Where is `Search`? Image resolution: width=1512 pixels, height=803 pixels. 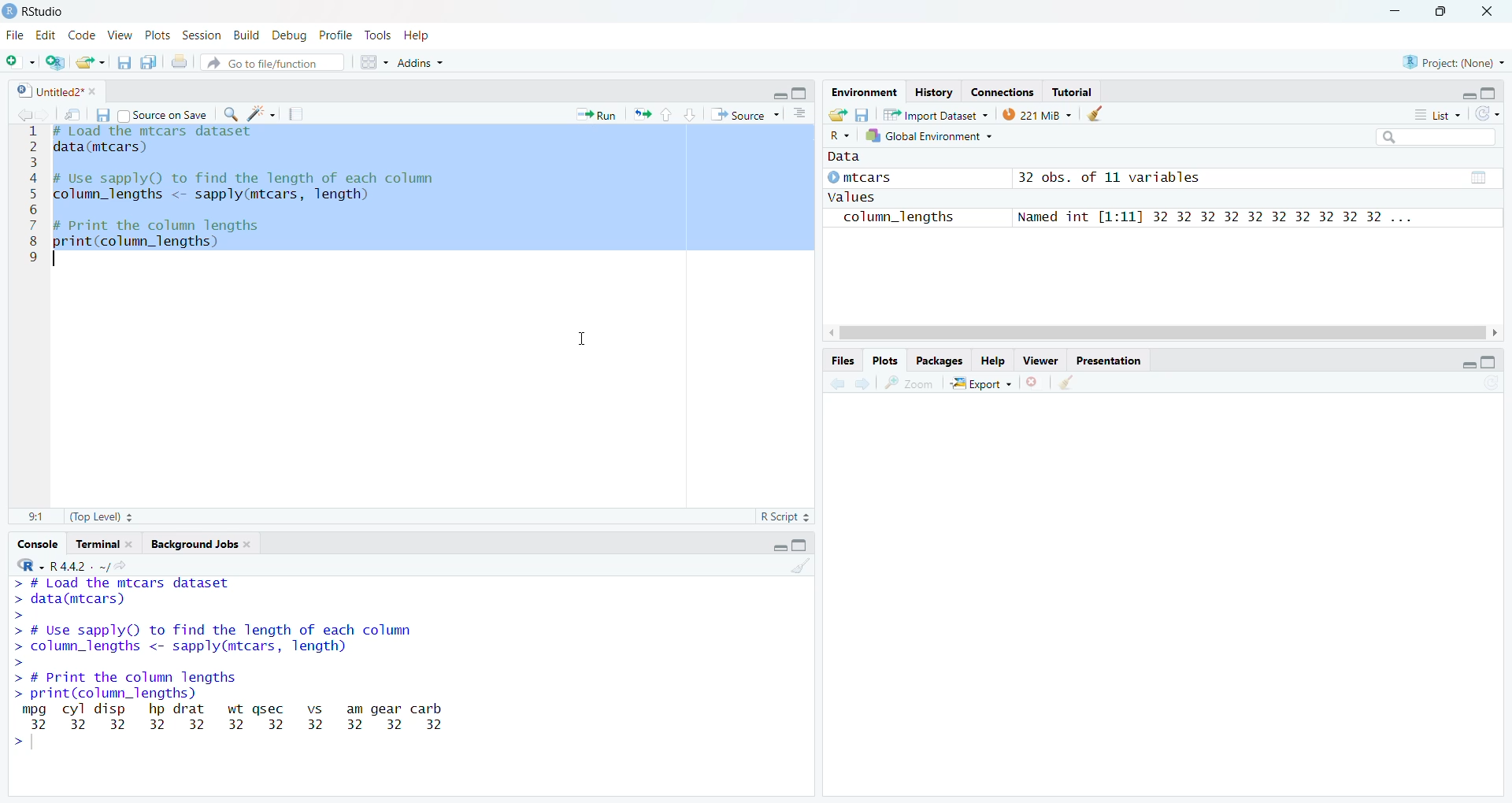 Search is located at coordinates (1437, 138).